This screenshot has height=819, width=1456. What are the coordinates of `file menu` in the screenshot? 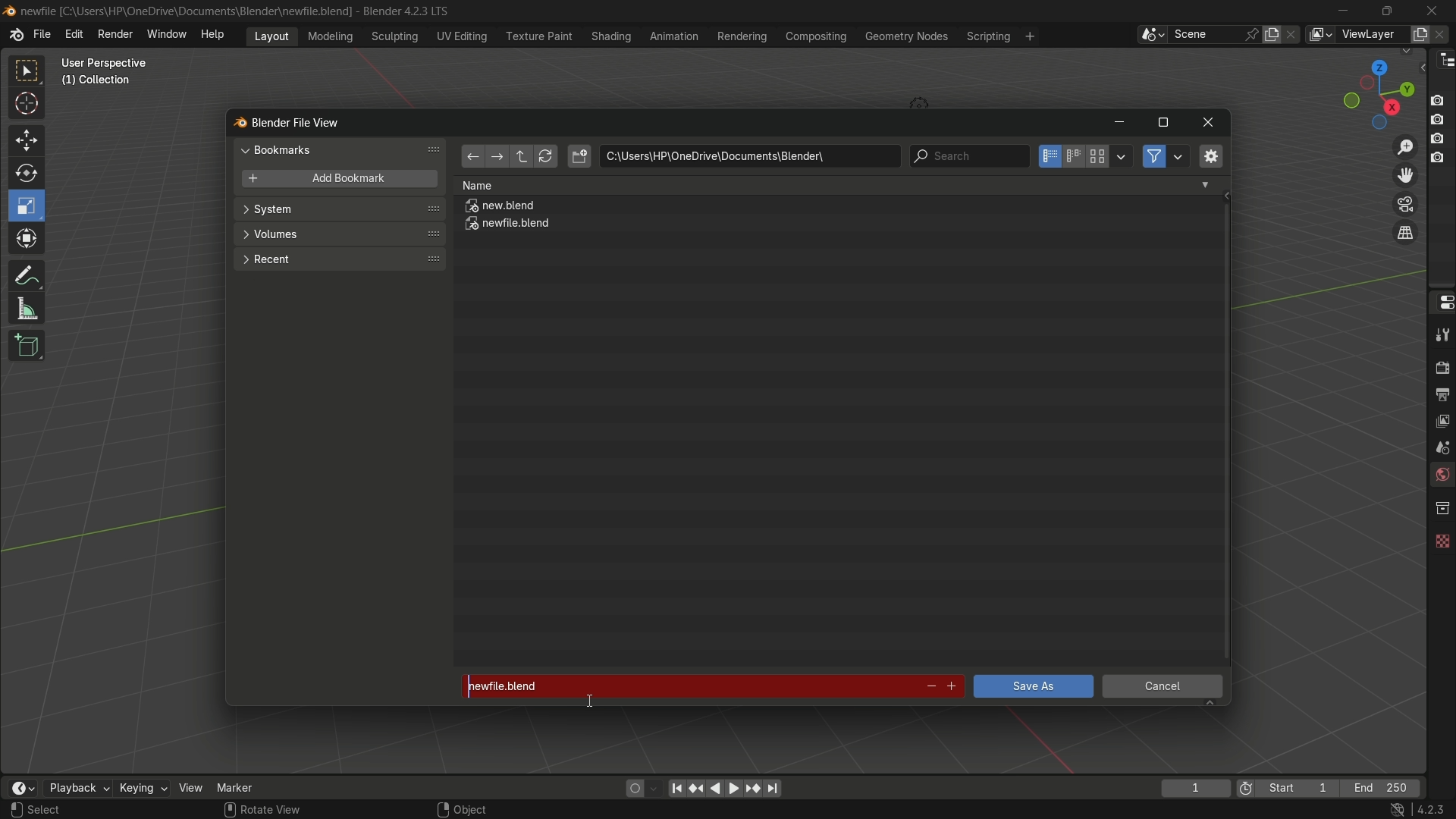 It's located at (42, 35).